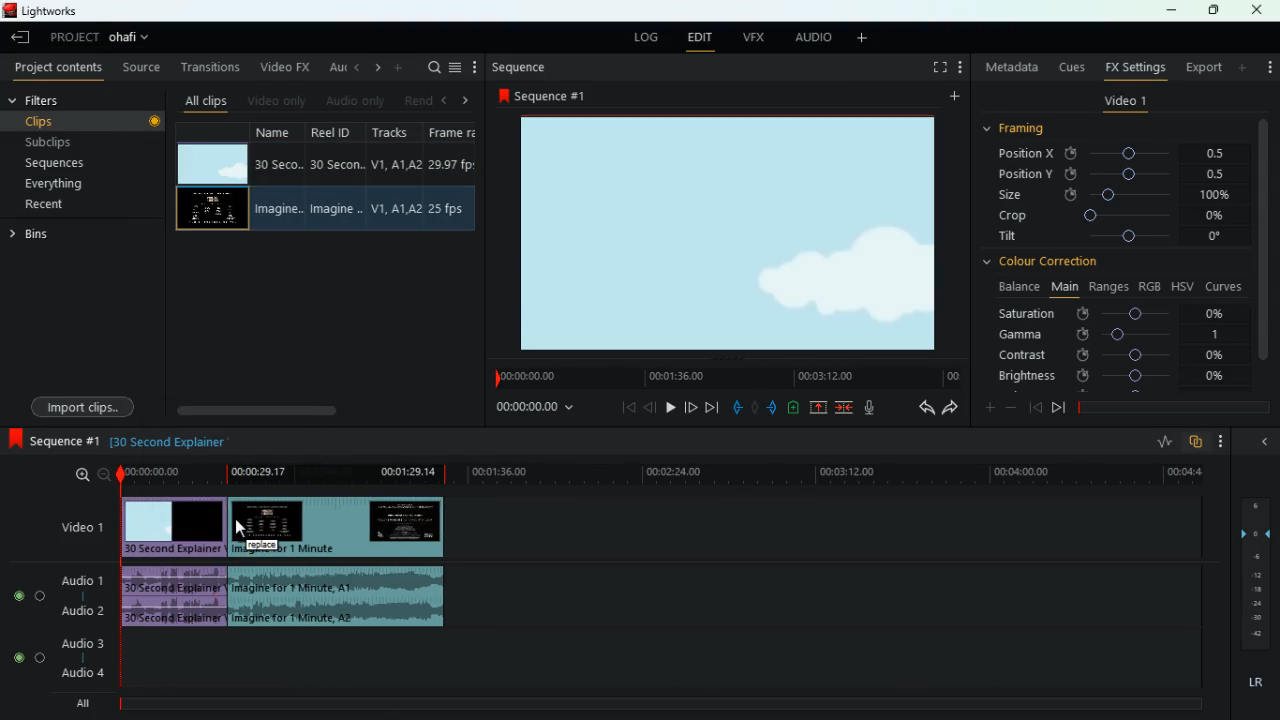 Image resolution: width=1280 pixels, height=720 pixels. Describe the element at coordinates (650, 407) in the screenshot. I see `back` at that location.